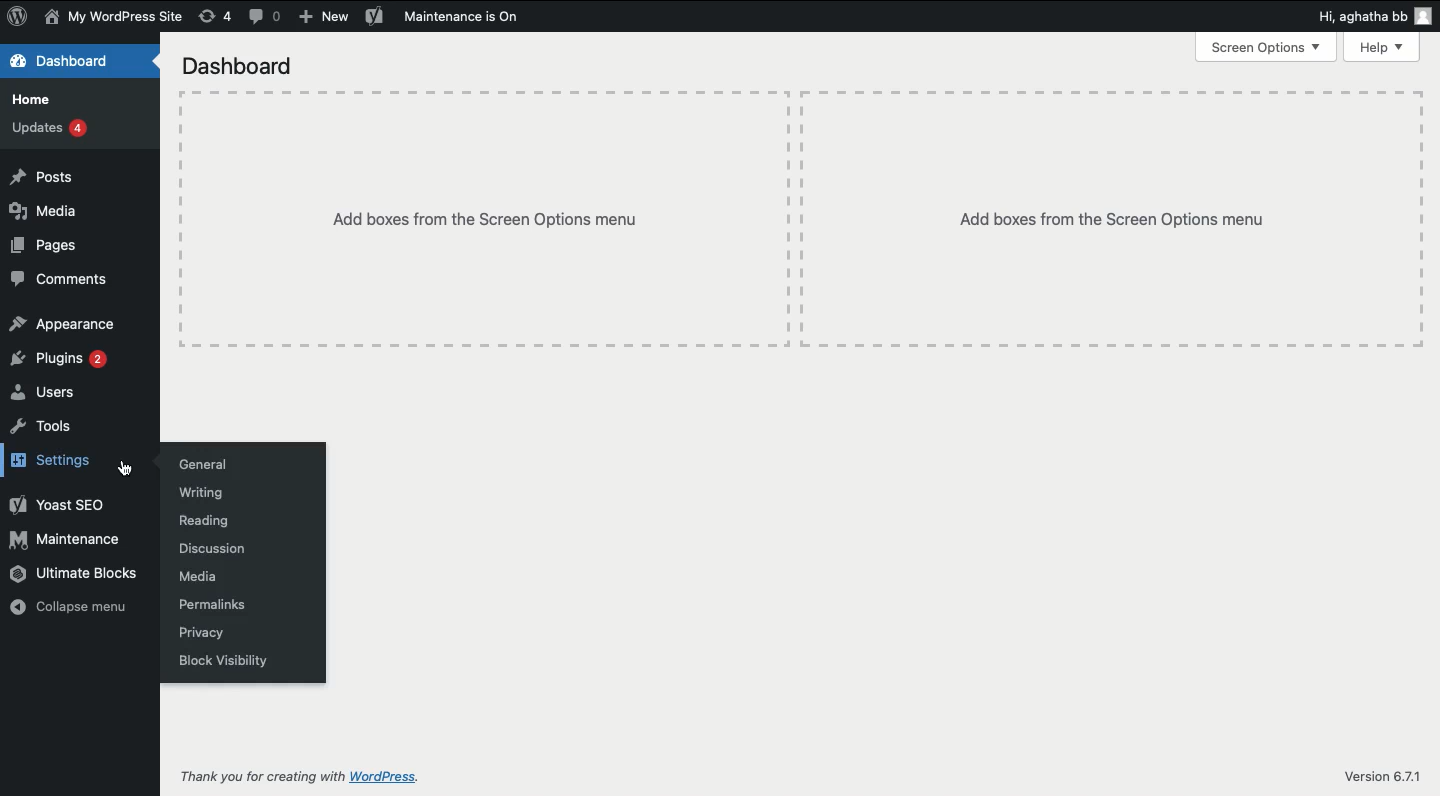 Image resolution: width=1440 pixels, height=796 pixels. What do you see at coordinates (53, 129) in the screenshot?
I see `updates` at bounding box center [53, 129].